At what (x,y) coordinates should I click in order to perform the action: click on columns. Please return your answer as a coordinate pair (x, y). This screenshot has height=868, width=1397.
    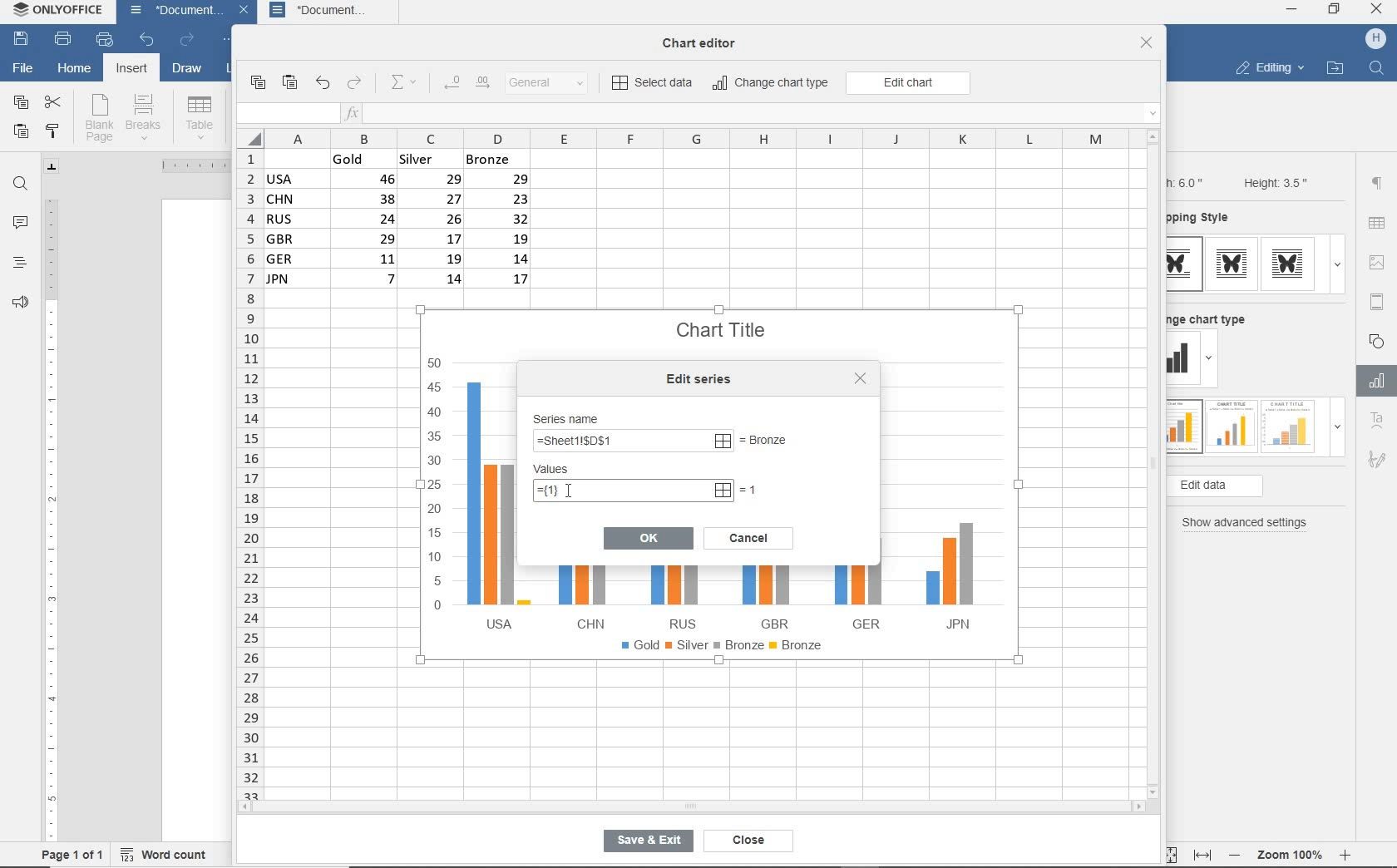
    Looking at the image, I should click on (684, 138).